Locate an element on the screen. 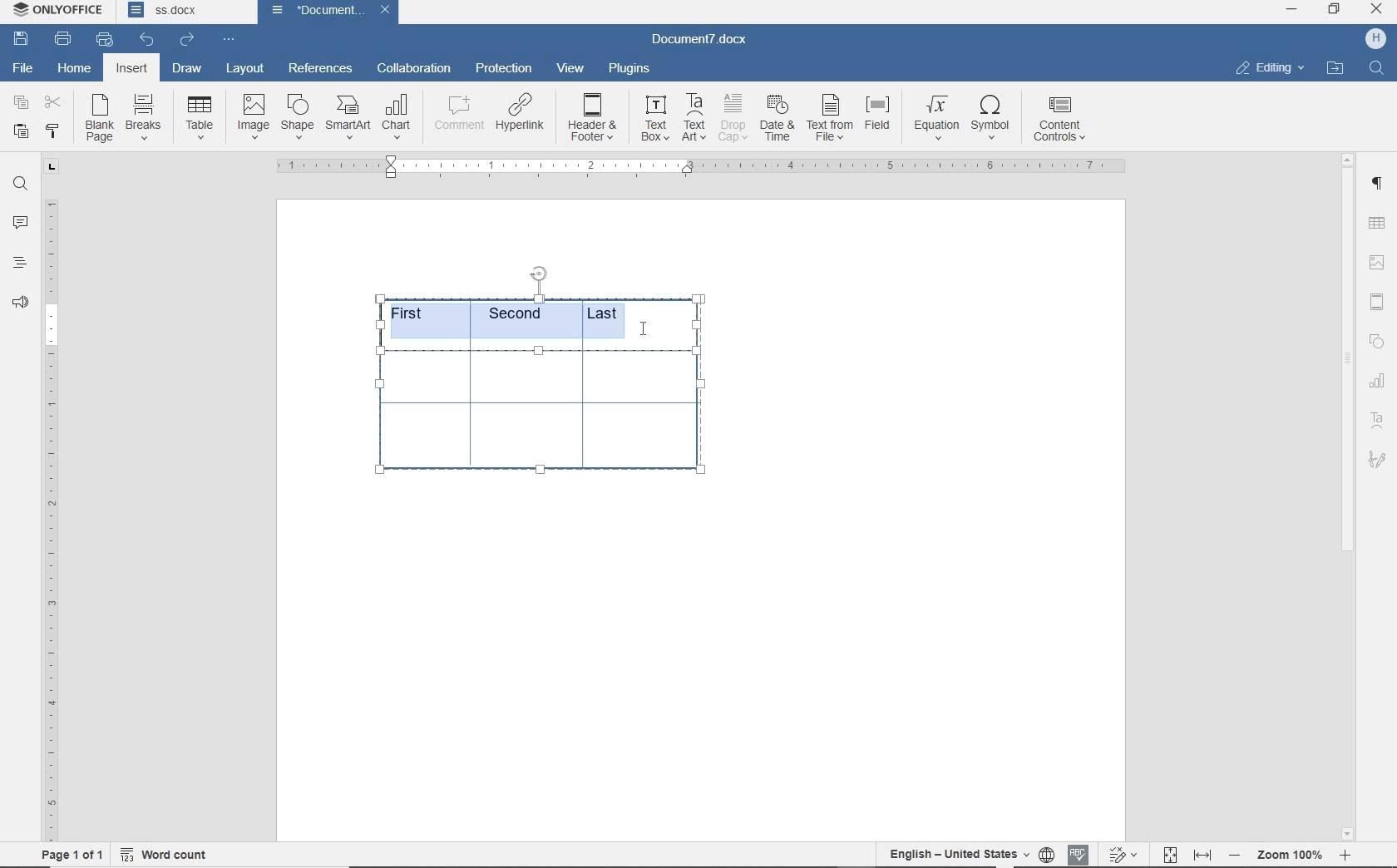 The width and height of the screenshot is (1397, 868). word count is located at coordinates (166, 851).